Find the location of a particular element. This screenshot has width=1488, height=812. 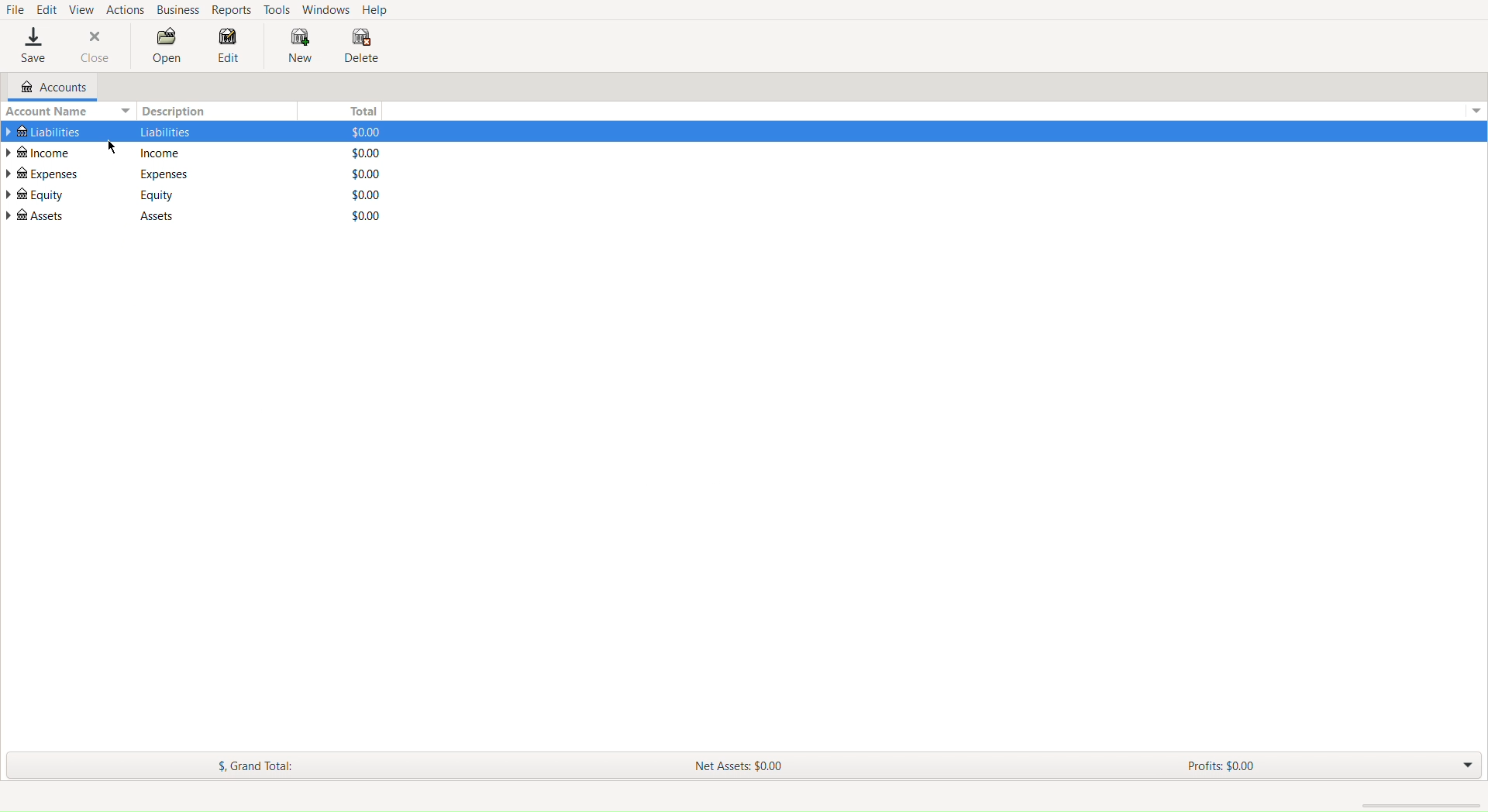

Description is located at coordinates (164, 174).